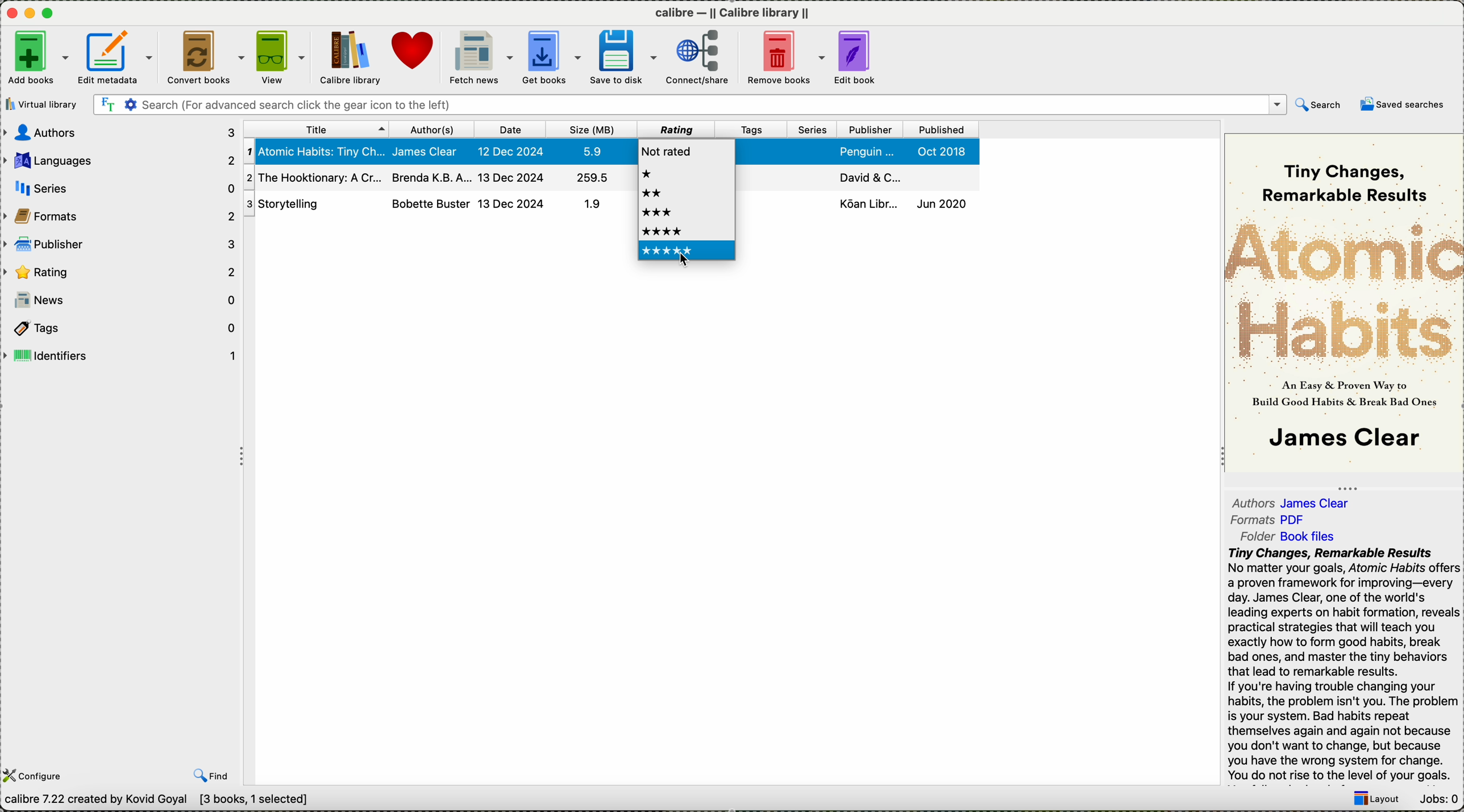 Image resolution: width=1464 pixels, height=812 pixels. What do you see at coordinates (121, 300) in the screenshot?
I see `news` at bounding box center [121, 300].